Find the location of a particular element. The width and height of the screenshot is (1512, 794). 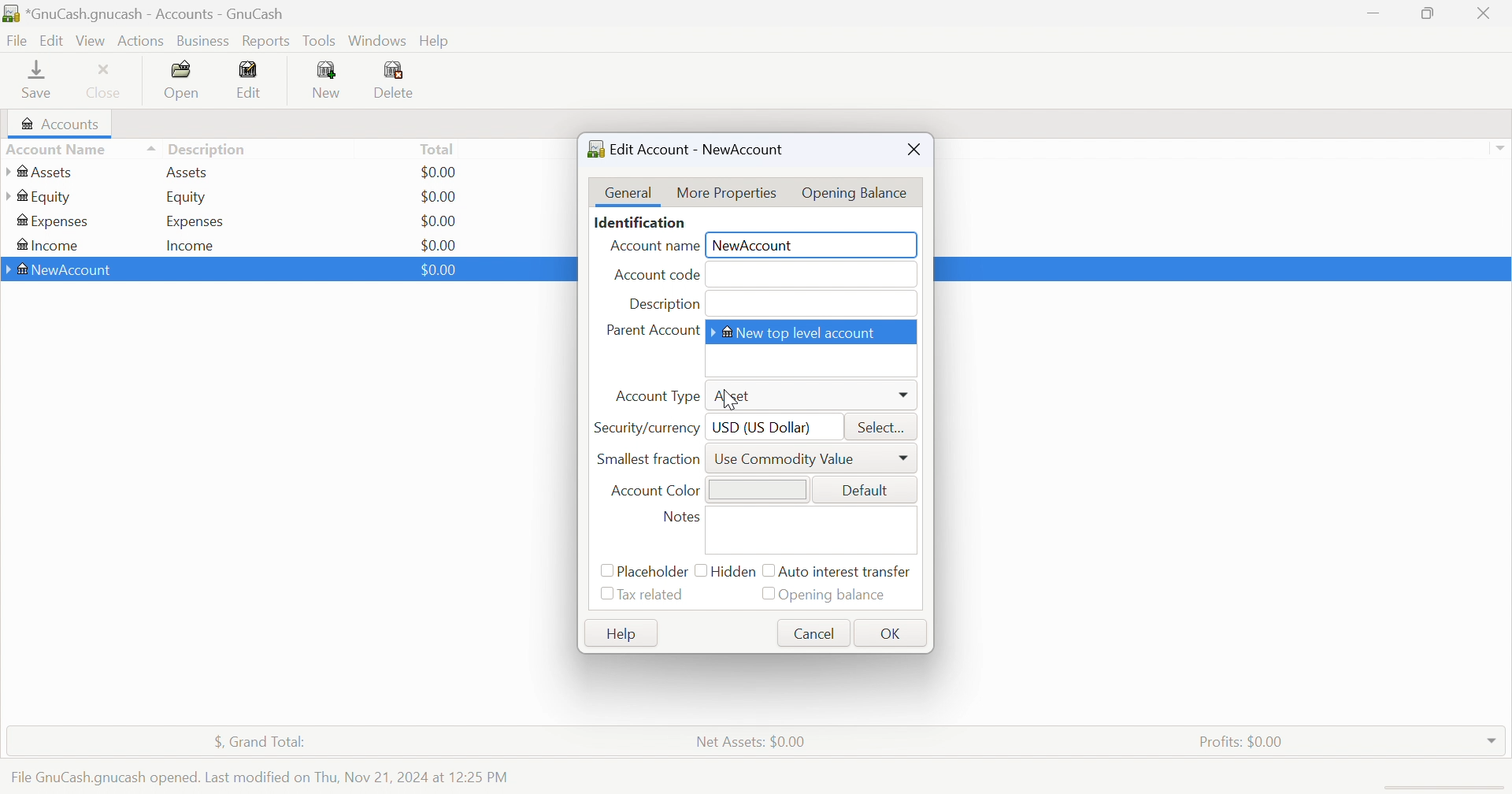

OK is located at coordinates (892, 634).